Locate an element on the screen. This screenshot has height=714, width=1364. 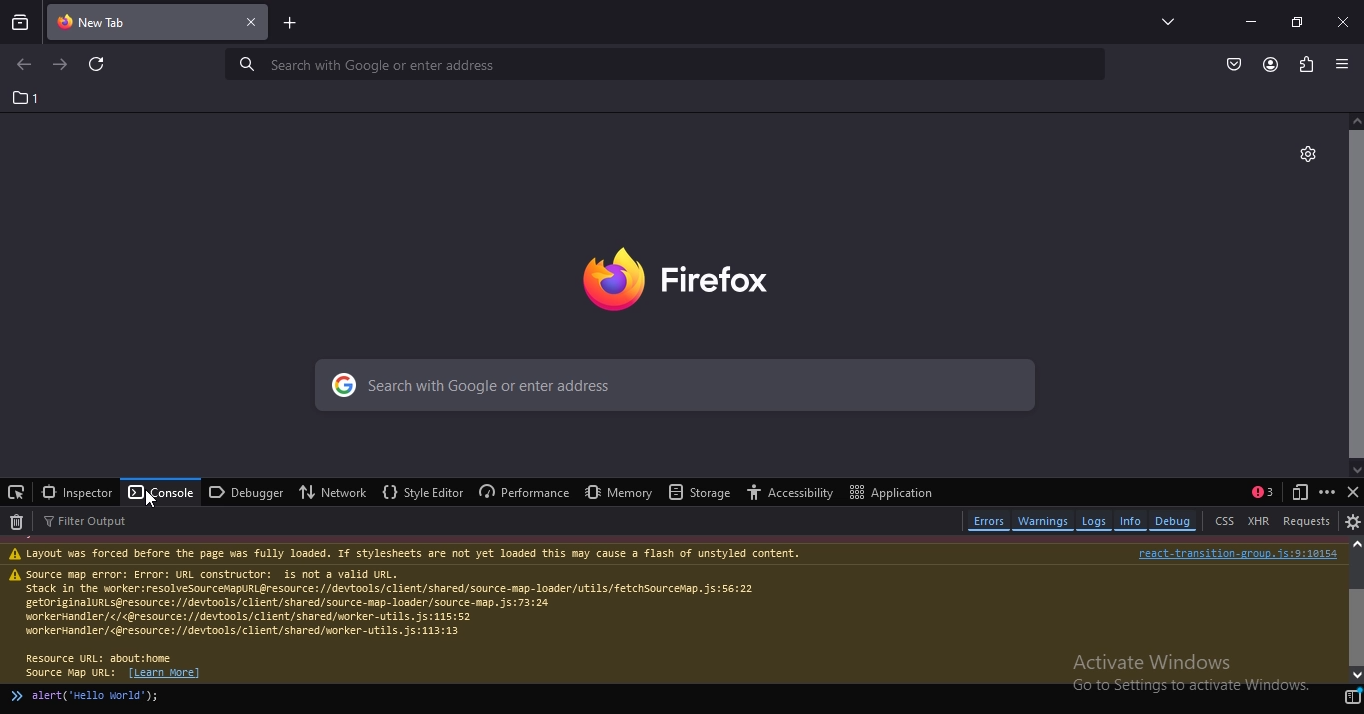
errors is located at coordinates (989, 521).